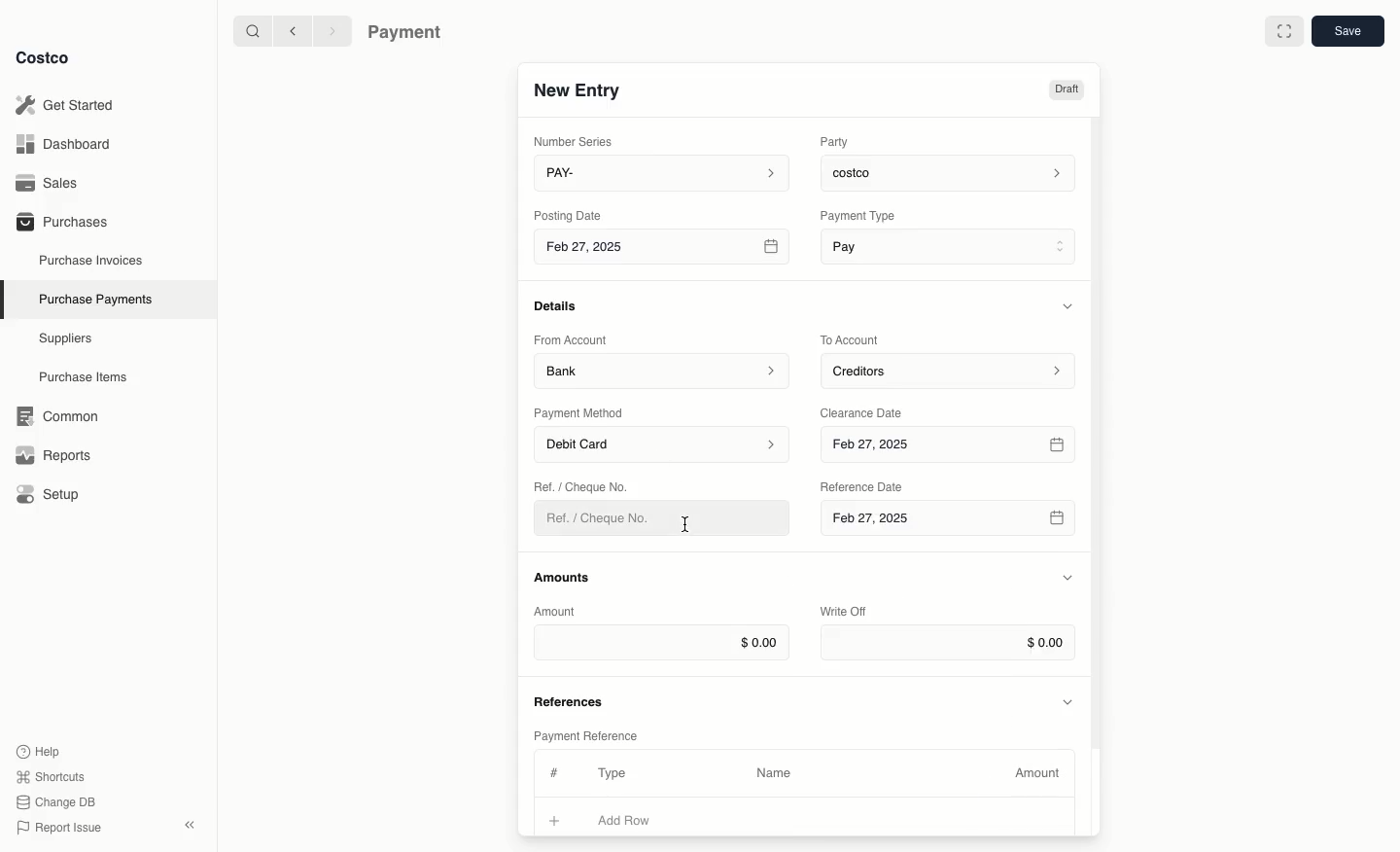  I want to click on Setup, so click(54, 496).